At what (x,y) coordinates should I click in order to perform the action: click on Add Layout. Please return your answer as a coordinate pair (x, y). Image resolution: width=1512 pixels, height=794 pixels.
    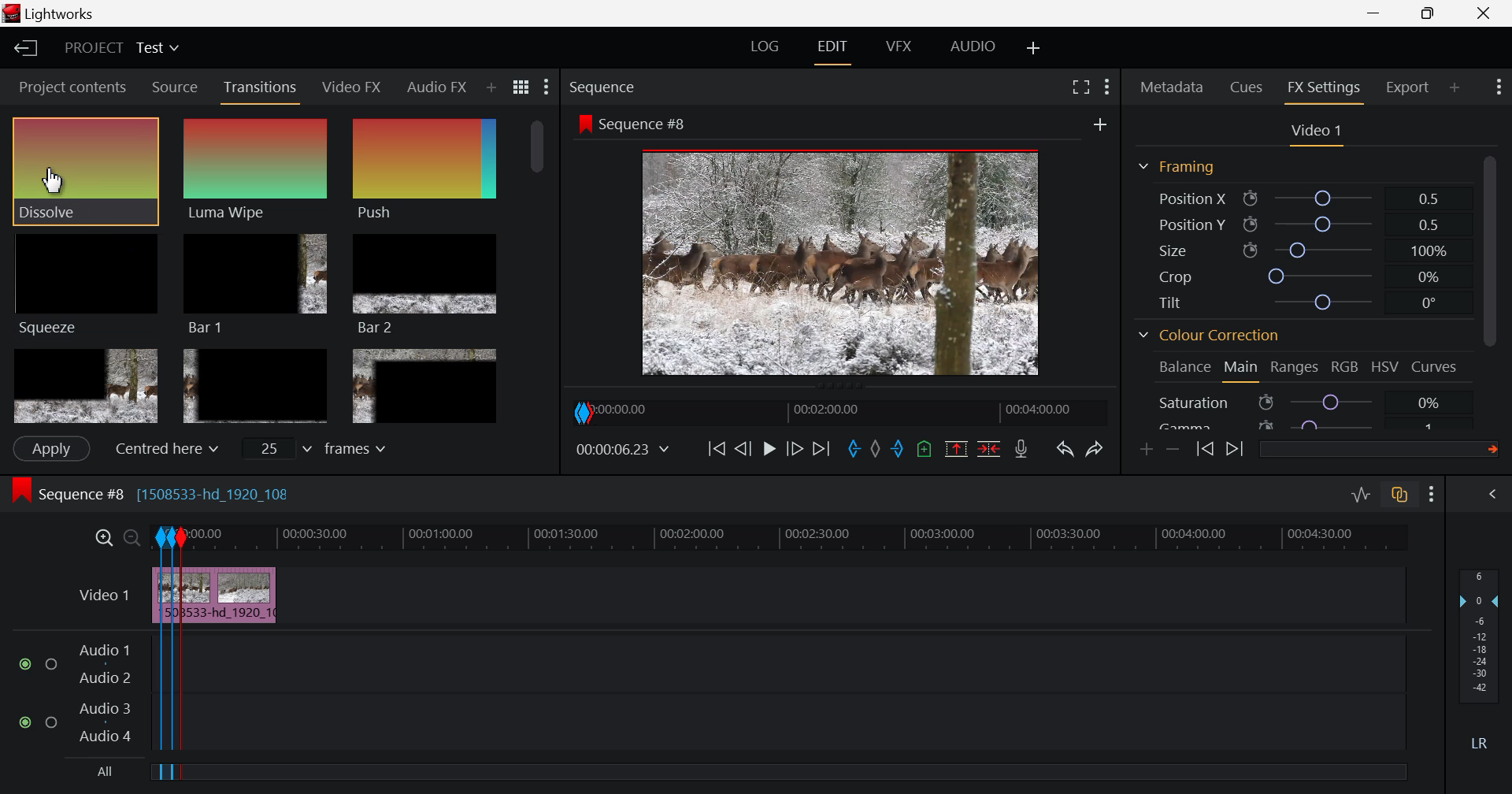
    Looking at the image, I should click on (1035, 47).